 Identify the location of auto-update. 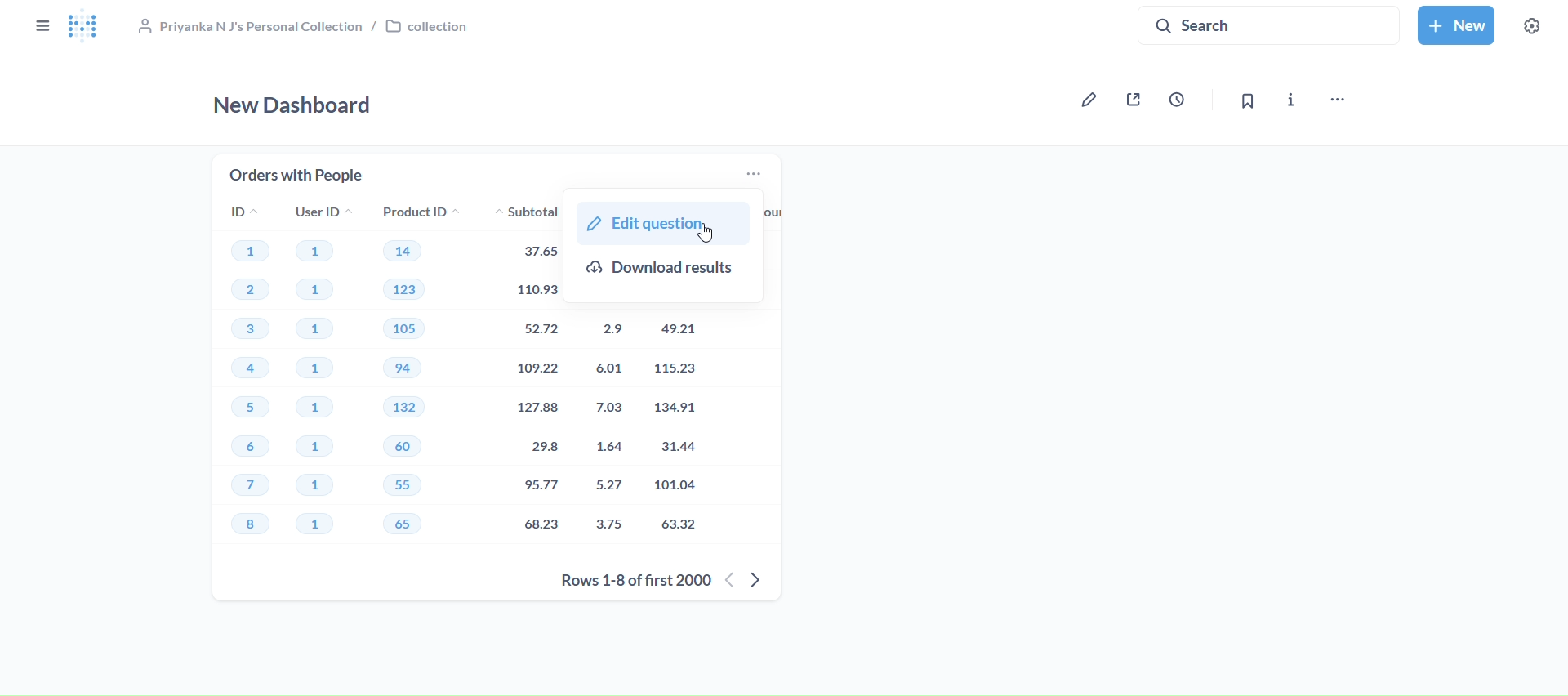
(1184, 100).